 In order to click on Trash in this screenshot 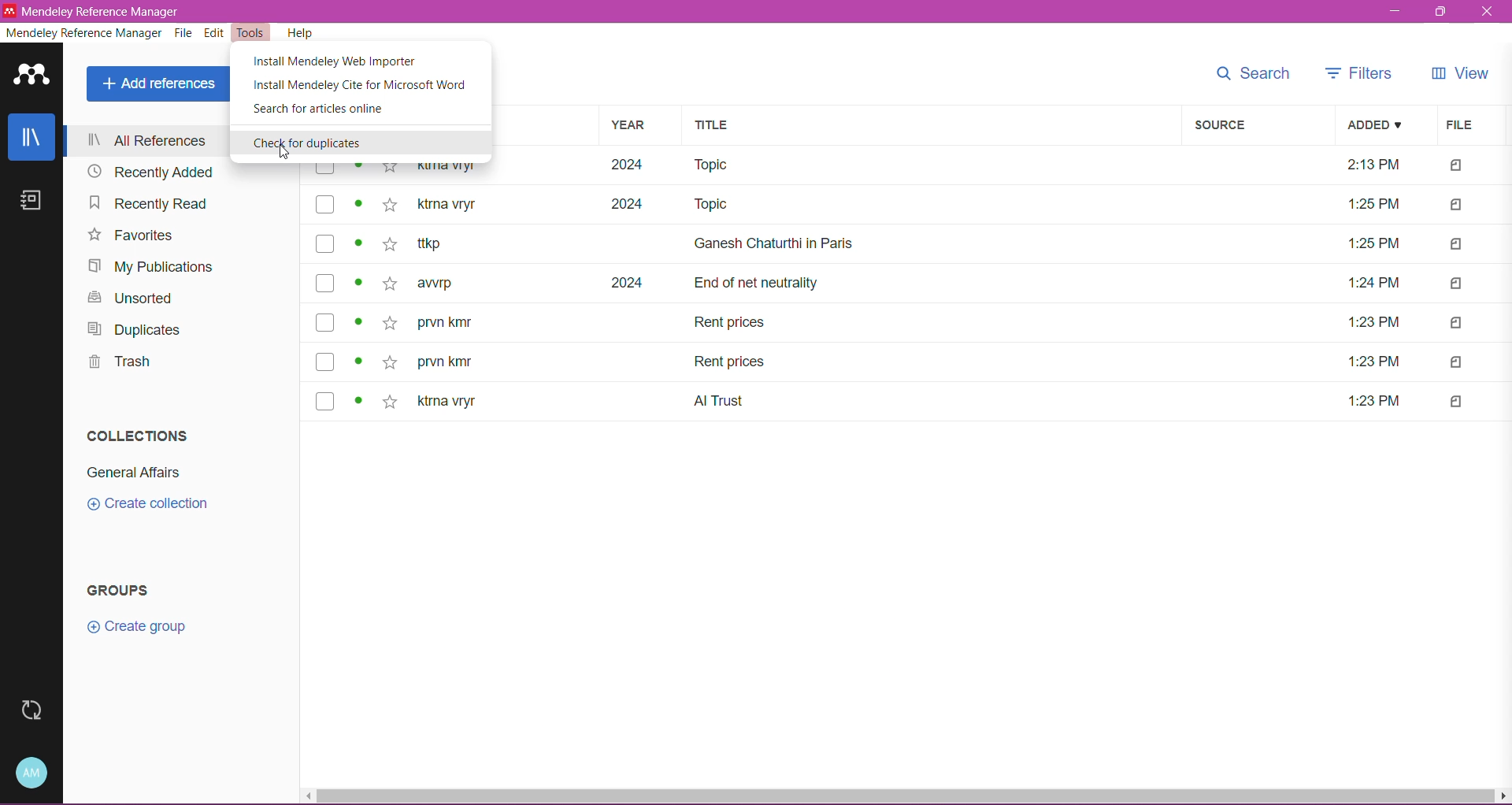, I will do `click(119, 365)`.